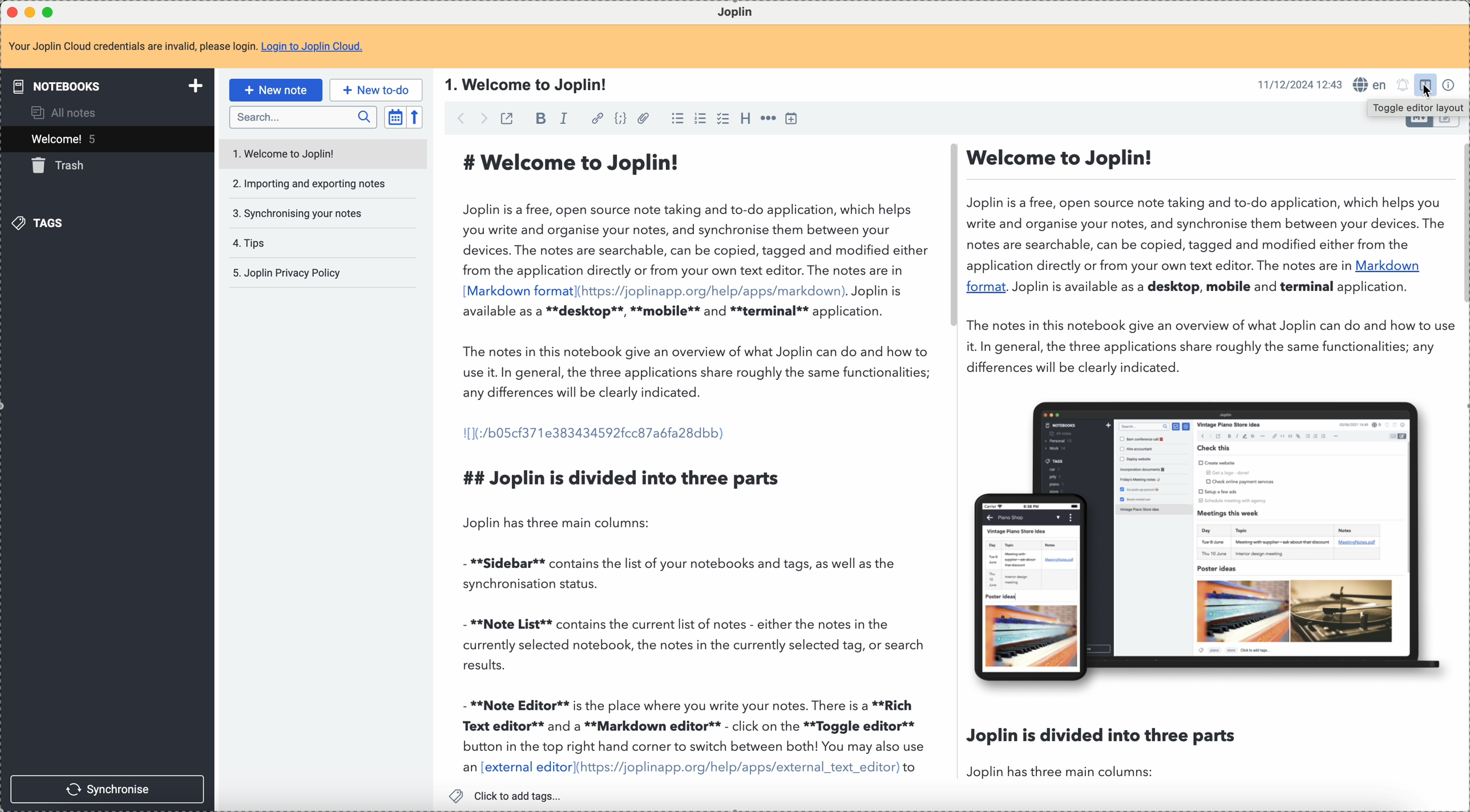 The height and width of the screenshot is (812, 1470). Describe the element at coordinates (561, 523) in the screenshot. I see `Joplin has three main columns:` at that location.